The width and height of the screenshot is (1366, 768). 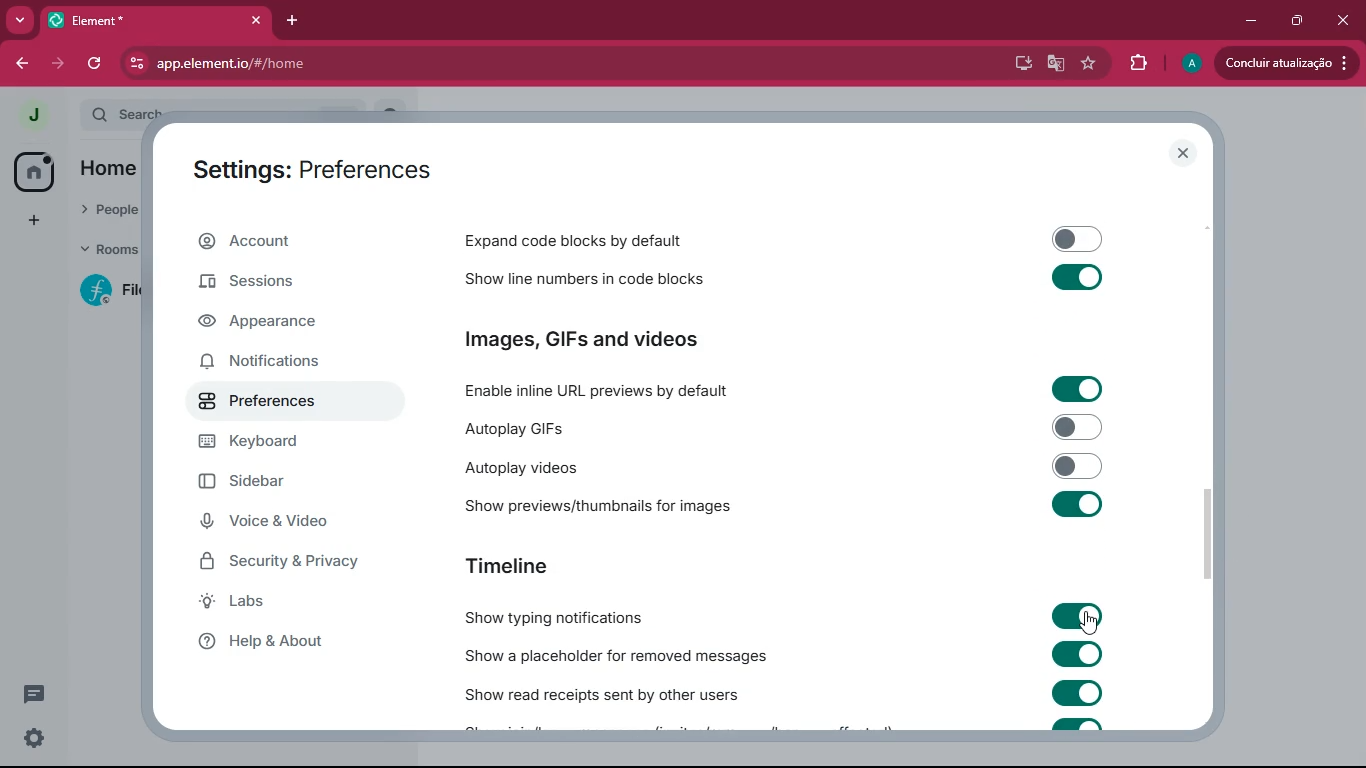 I want to click on enable inline URL previews by default, so click(x=602, y=387).